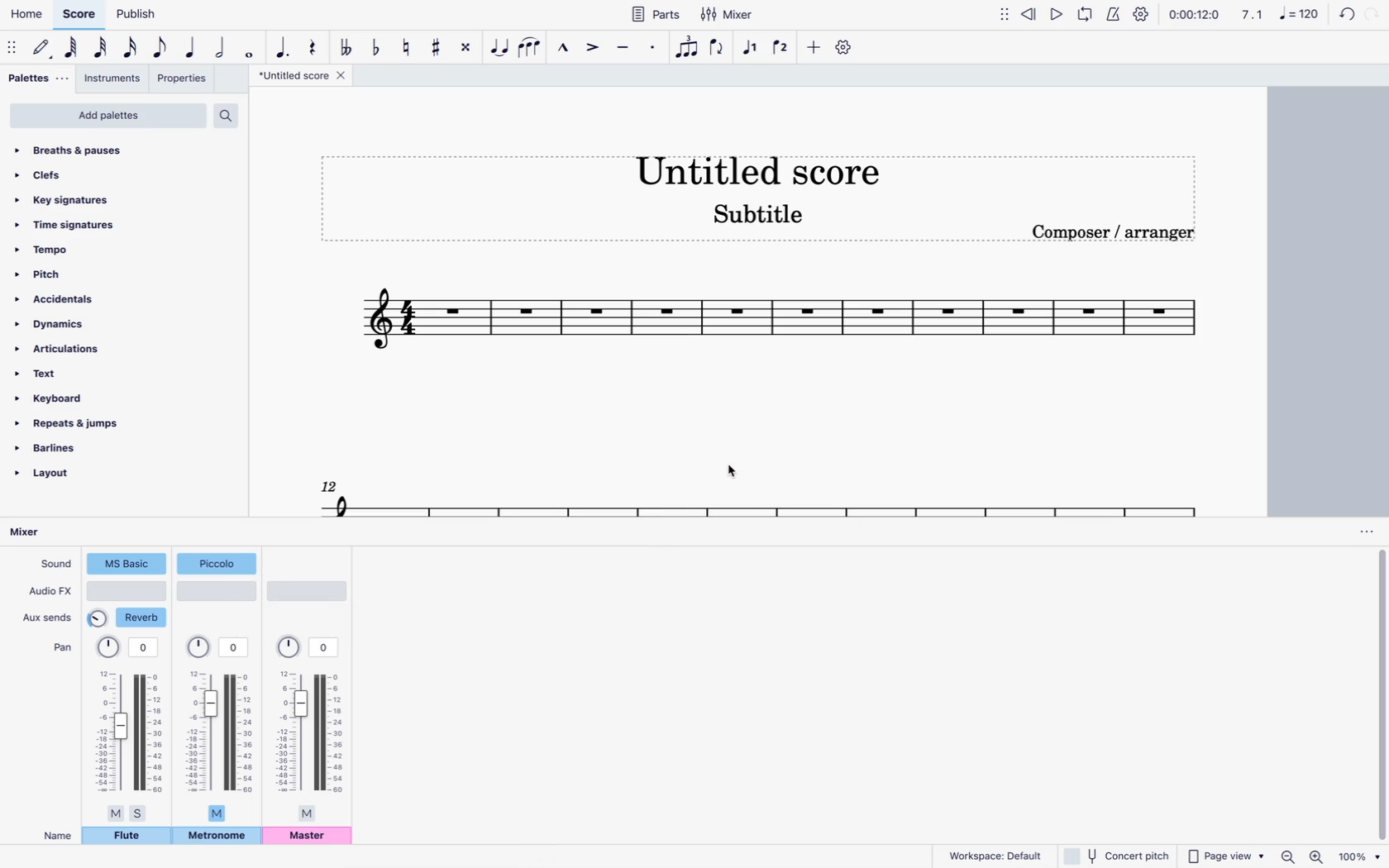 Image resolution: width=1389 pixels, height=868 pixels. What do you see at coordinates (218, 563) in the screenshot?
I see `piccolo` at bounding box center [218, 563].